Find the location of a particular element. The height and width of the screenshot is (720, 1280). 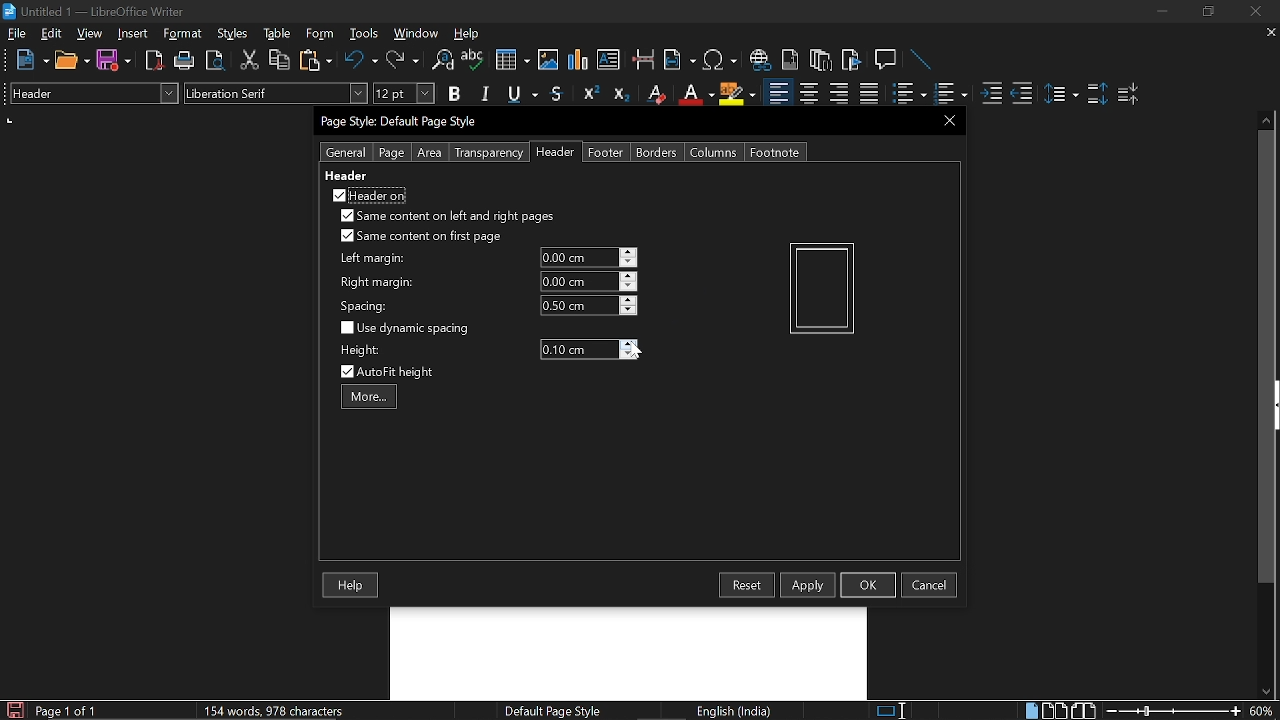

Columns is located at coordinates (714, 152).